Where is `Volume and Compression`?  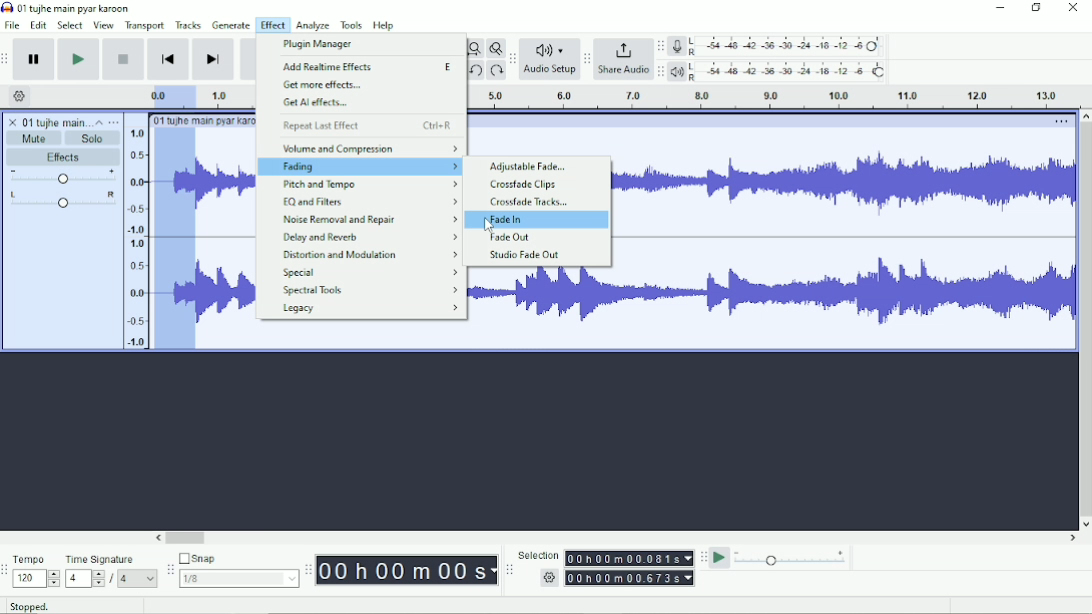
Volume and Compression is located at coordinates (369, 148).